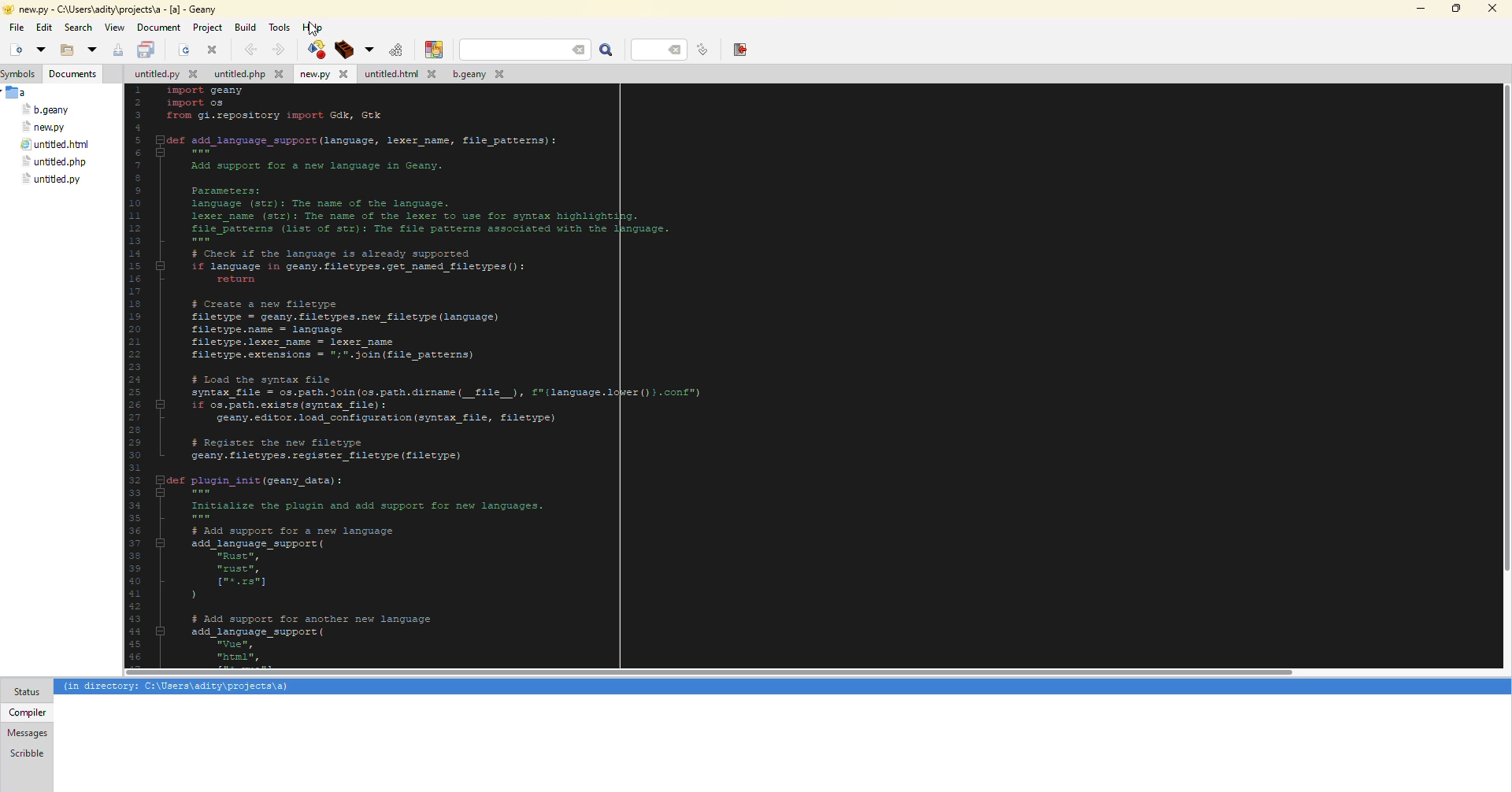 Image resolution: width=1512 pixels, height=792 pixels. I want to click on search, so click(525, 50).